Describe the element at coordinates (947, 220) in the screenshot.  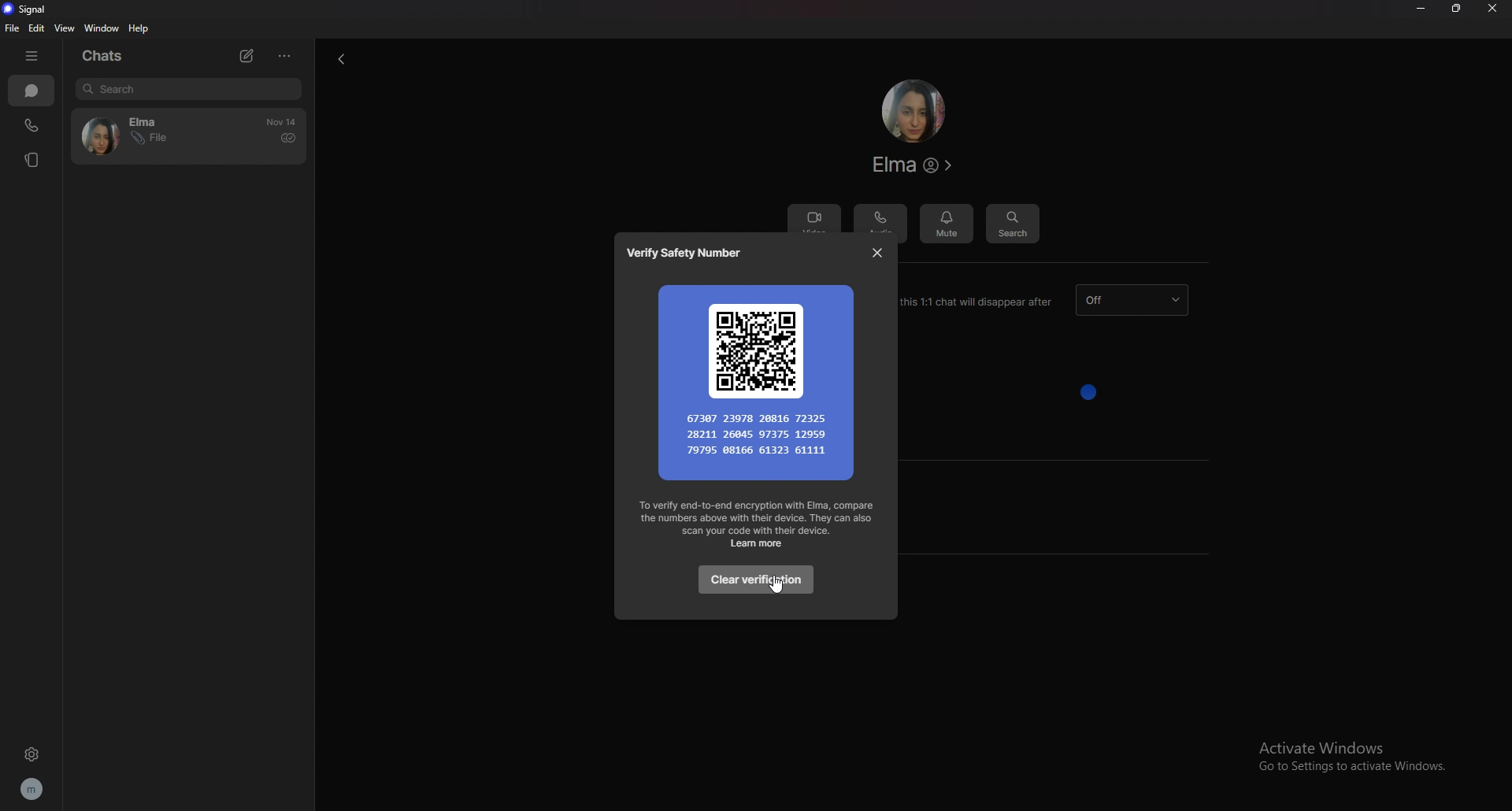
I see `mute` at that location.